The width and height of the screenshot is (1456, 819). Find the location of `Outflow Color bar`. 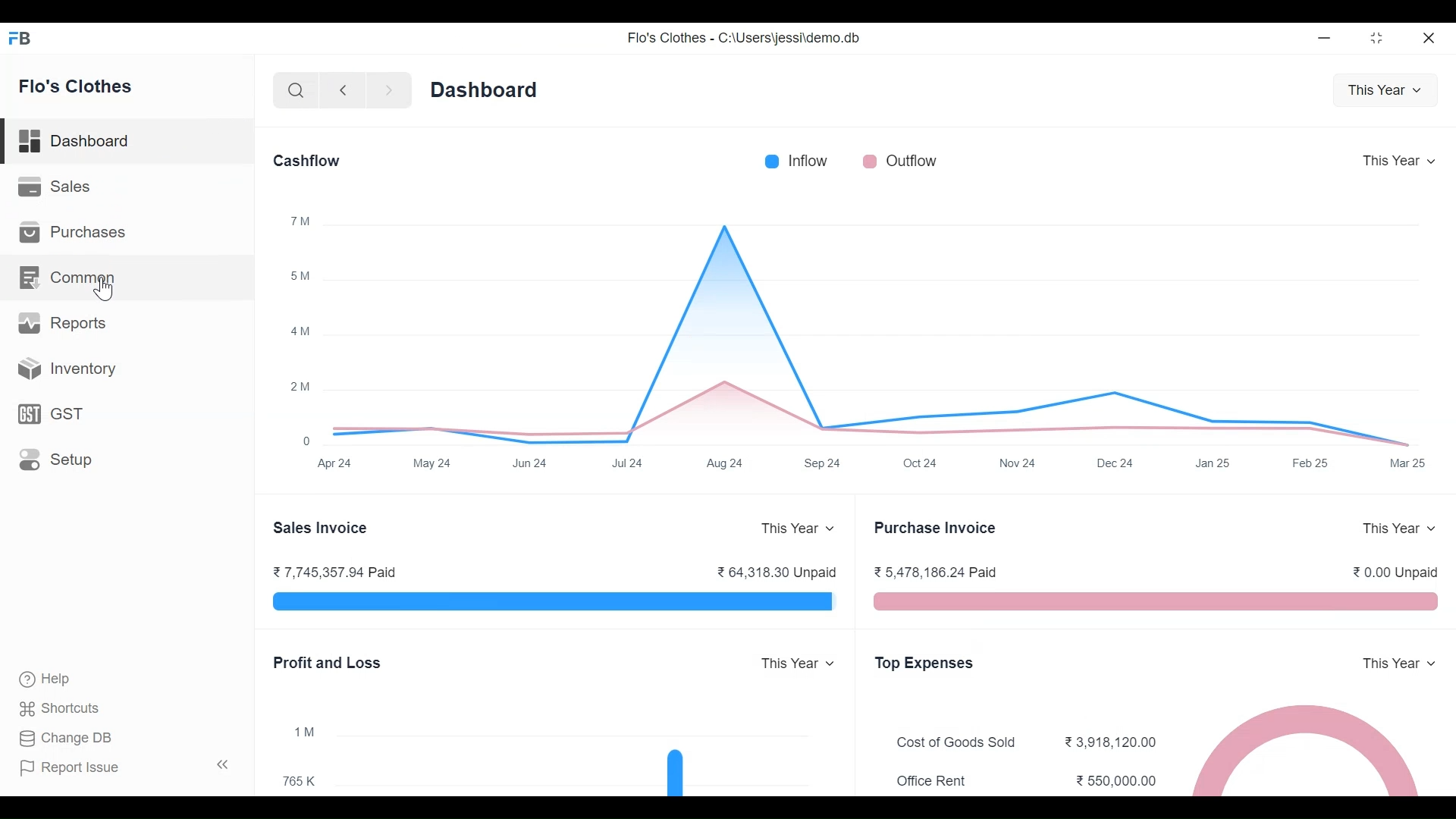

Outflow Color bar is located at coordinates (868, 160).